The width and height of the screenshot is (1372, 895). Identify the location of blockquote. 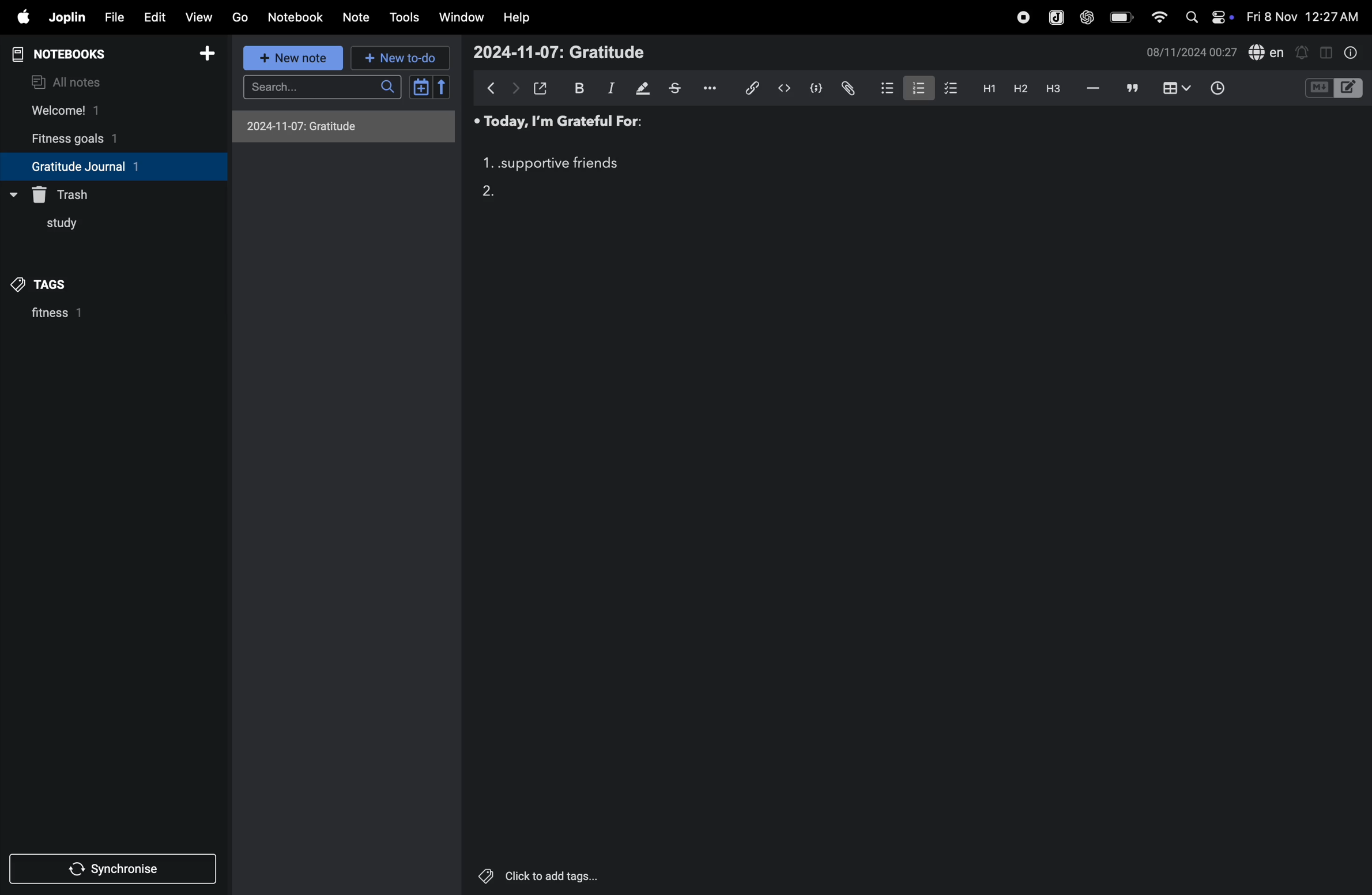
(1133, 88).